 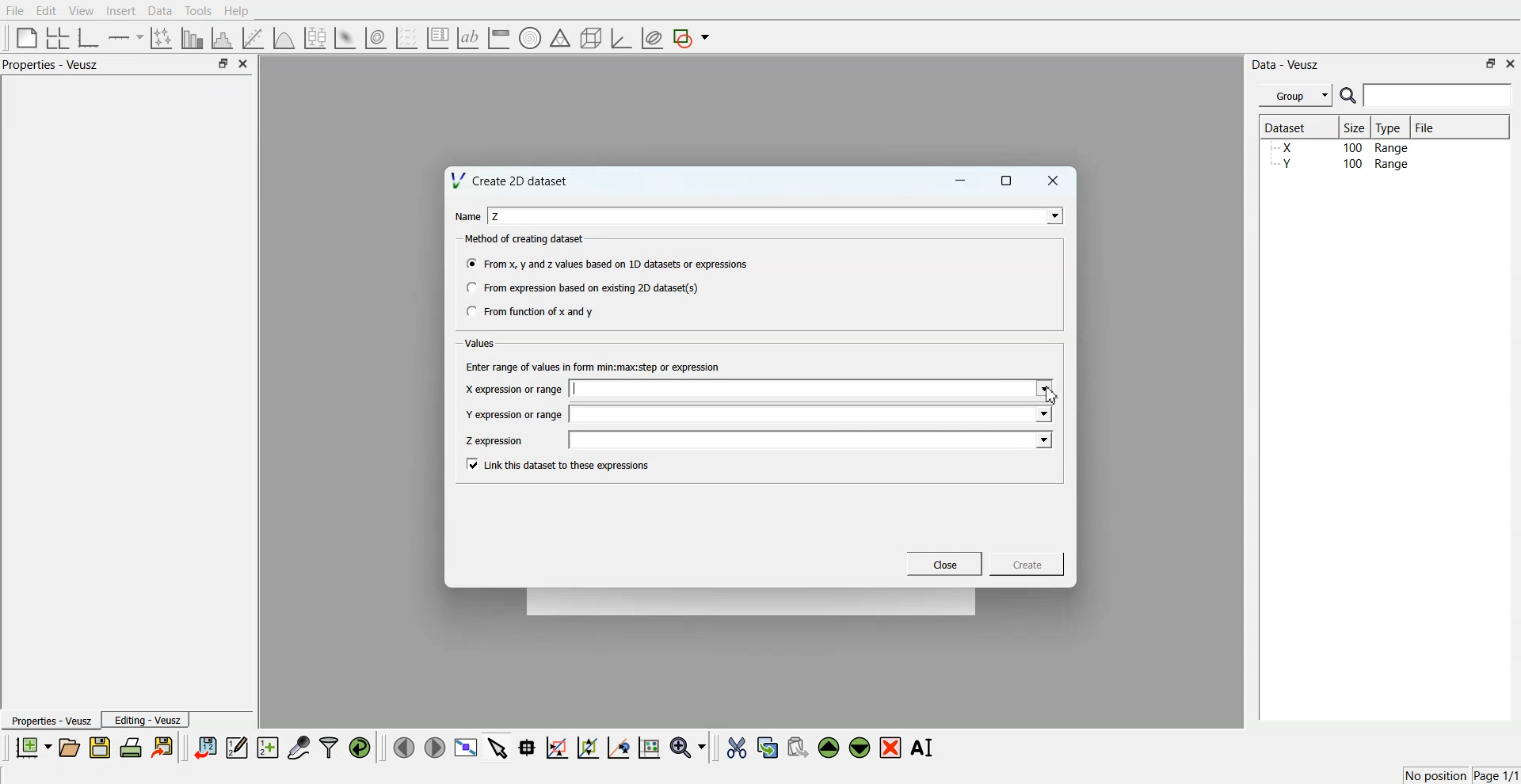 What do you see at coordinates (27, 37) in the screenshot?
I see `Blank page` at bounding box center [27, 37].